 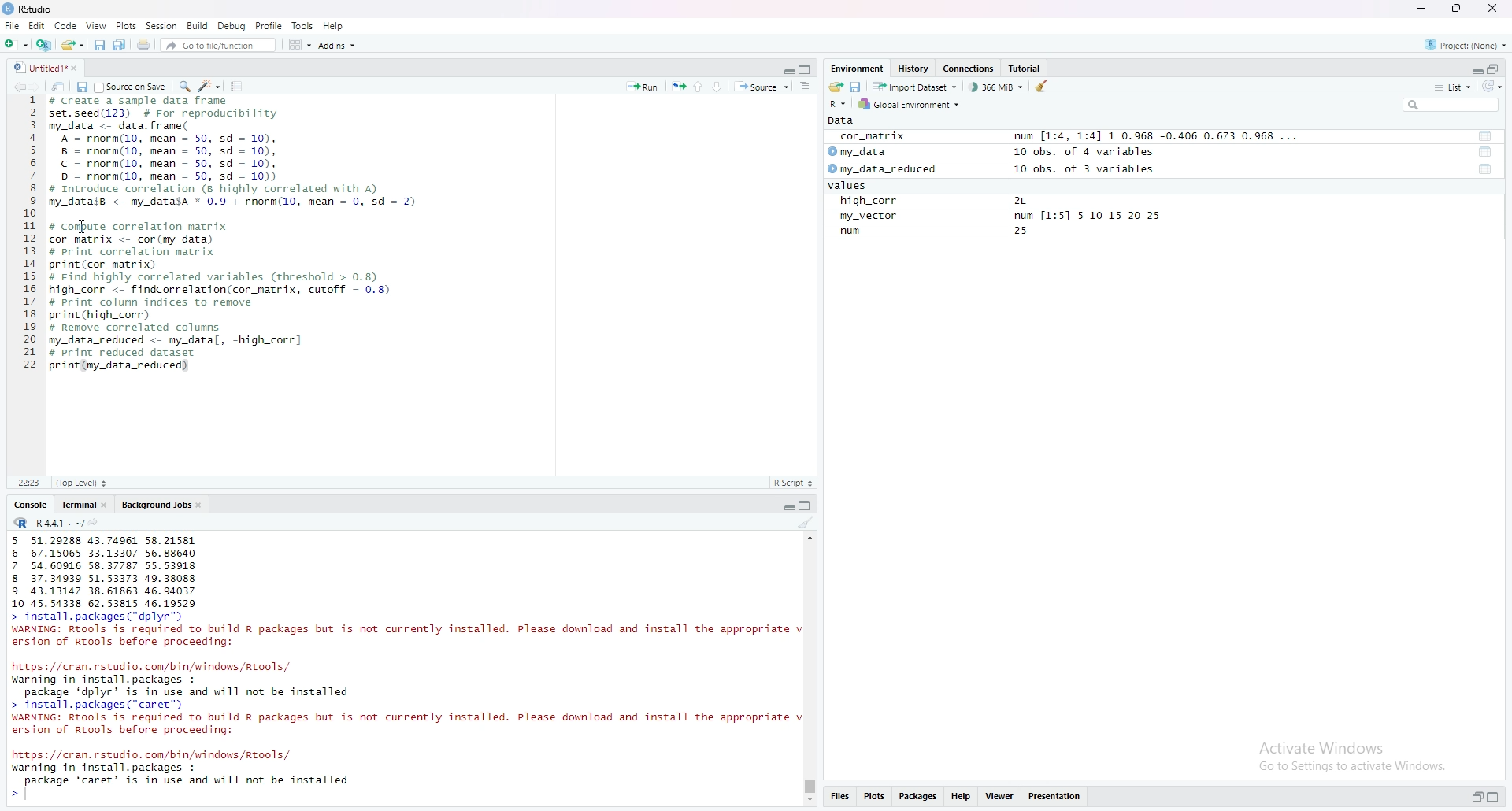 What do you see at coordinates (21, 523) in the screenshot?
I see `R` at bounding box center [21, 523].